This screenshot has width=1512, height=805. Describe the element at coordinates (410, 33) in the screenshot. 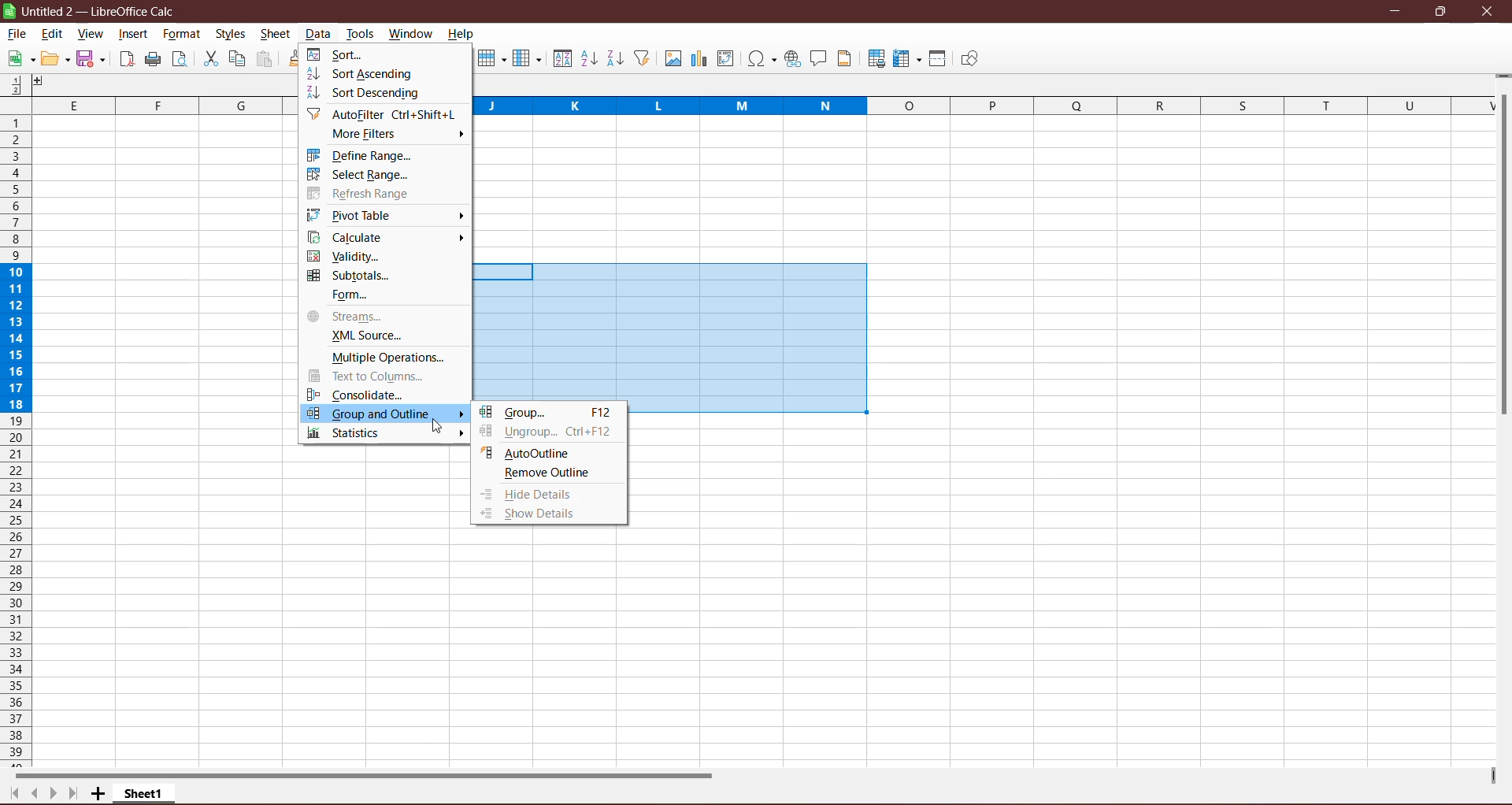

I see `Window` at that location.